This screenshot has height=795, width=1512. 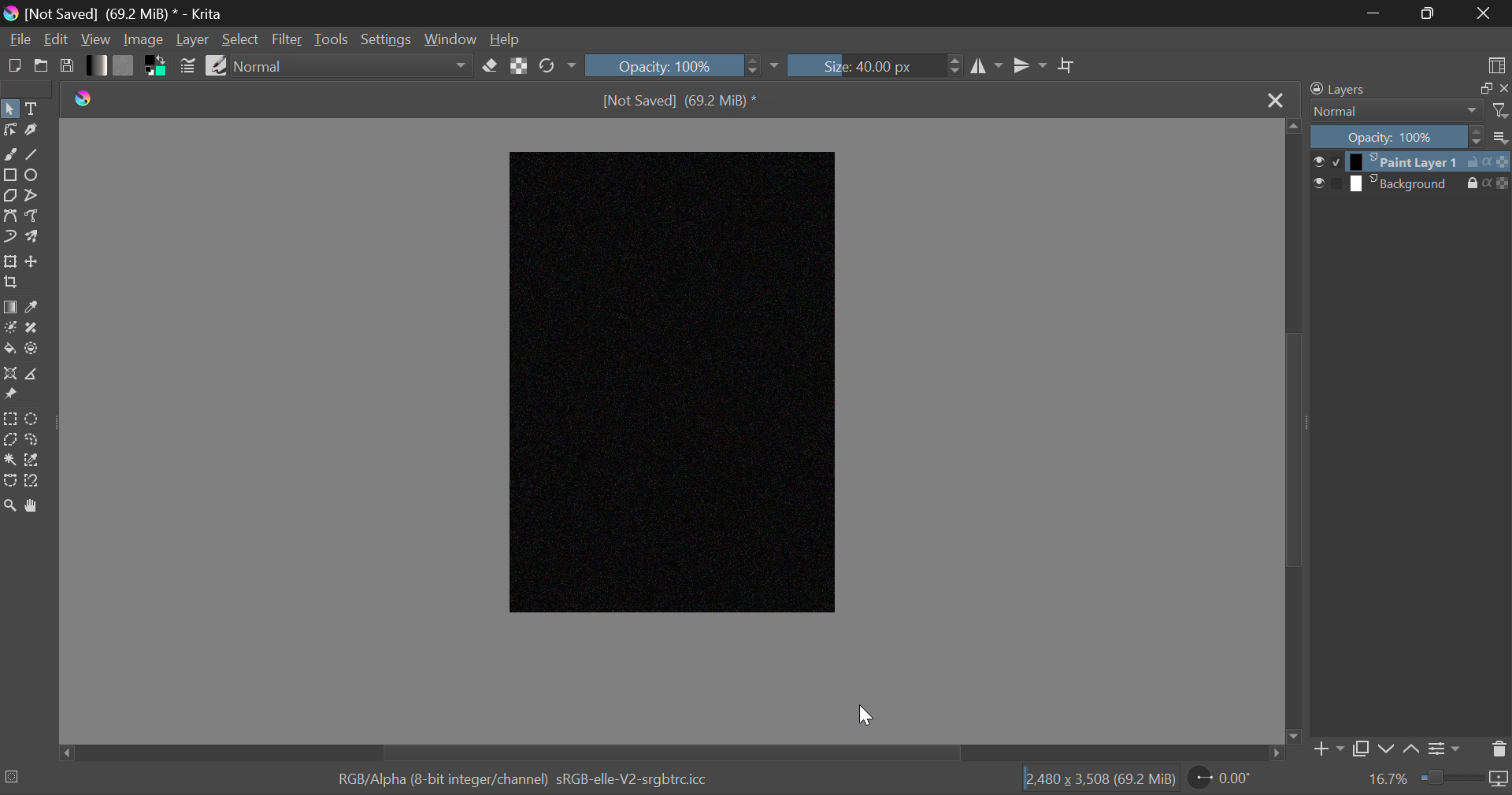 What do you see at coordinates (1426, 13) in the screenshot?
I see `Minimize` at bounding box center [1426, 13].